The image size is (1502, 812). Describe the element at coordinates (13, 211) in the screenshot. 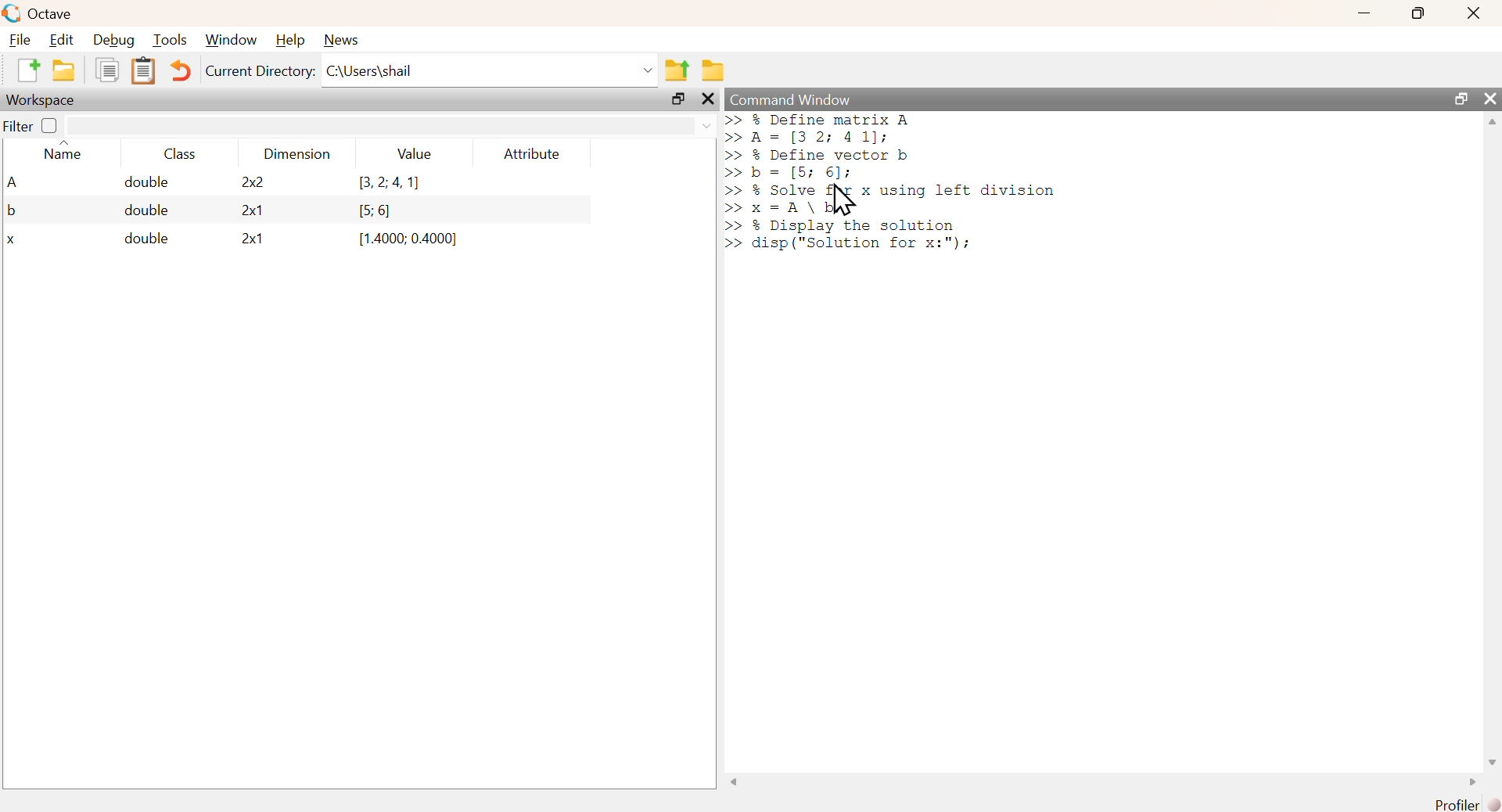

I see `b` at that location.